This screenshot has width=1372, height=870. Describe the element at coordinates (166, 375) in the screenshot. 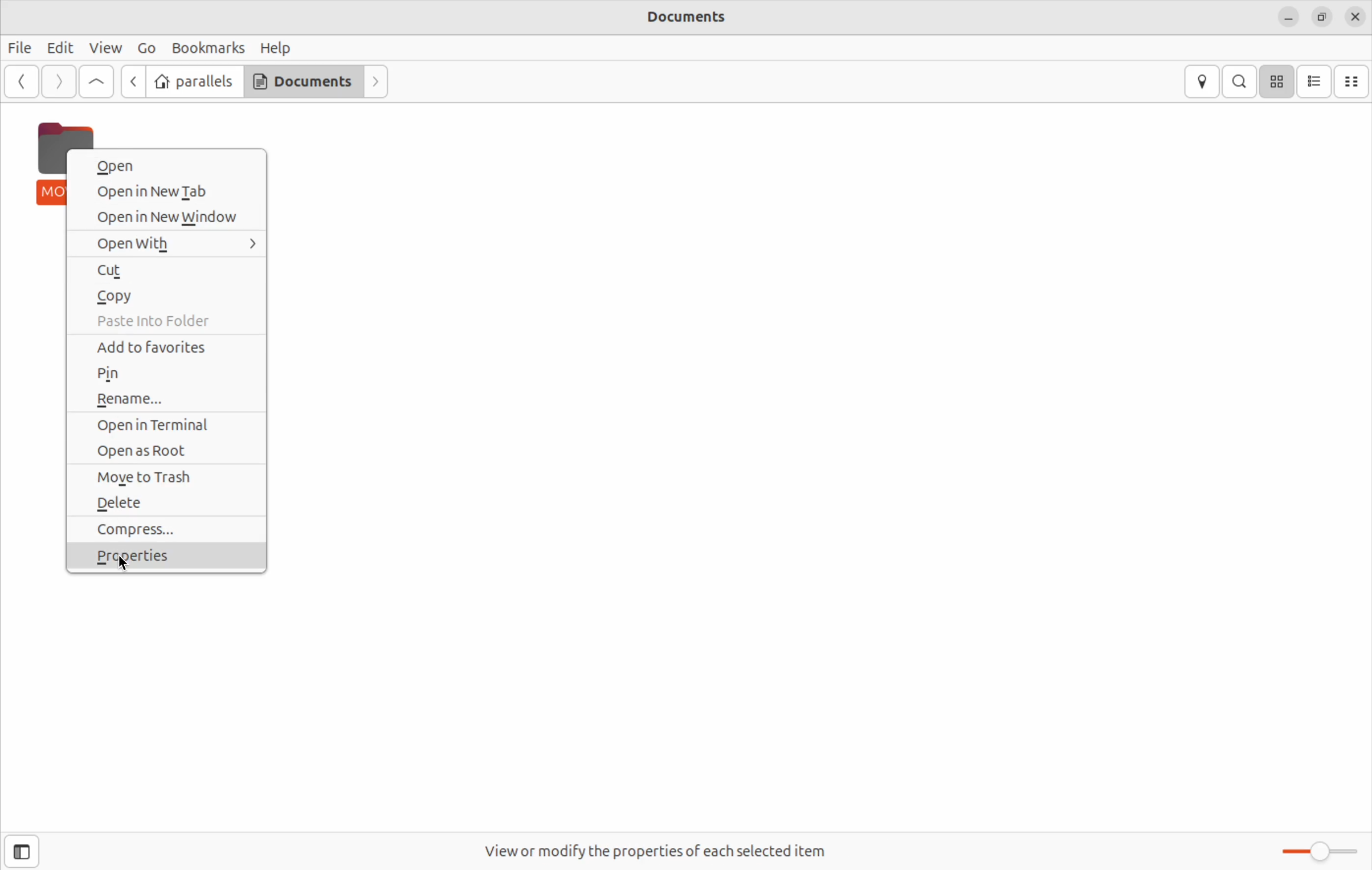

I see `pin` at that location.